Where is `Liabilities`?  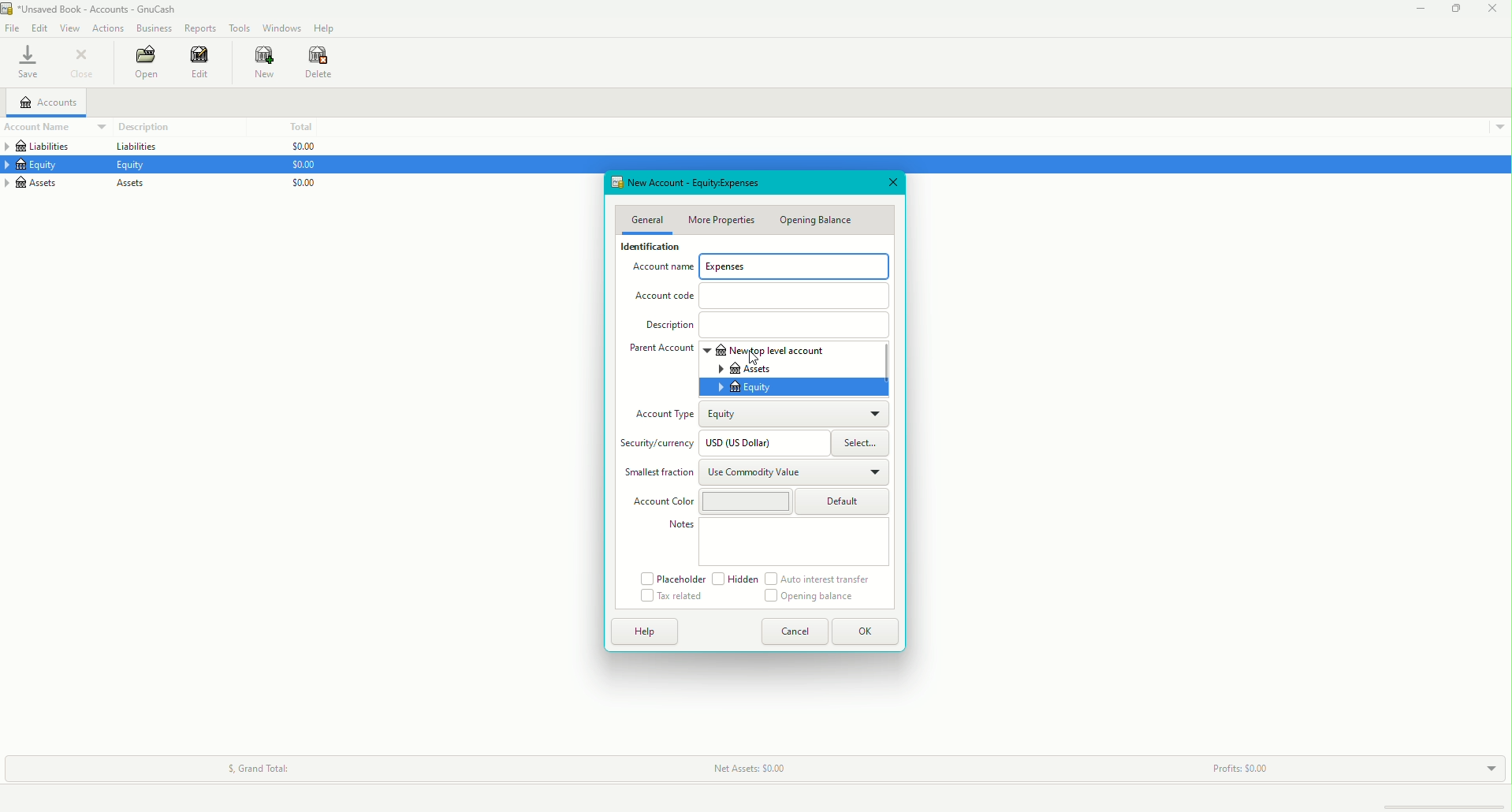
Liabilities is located at coordinates (46, 147).